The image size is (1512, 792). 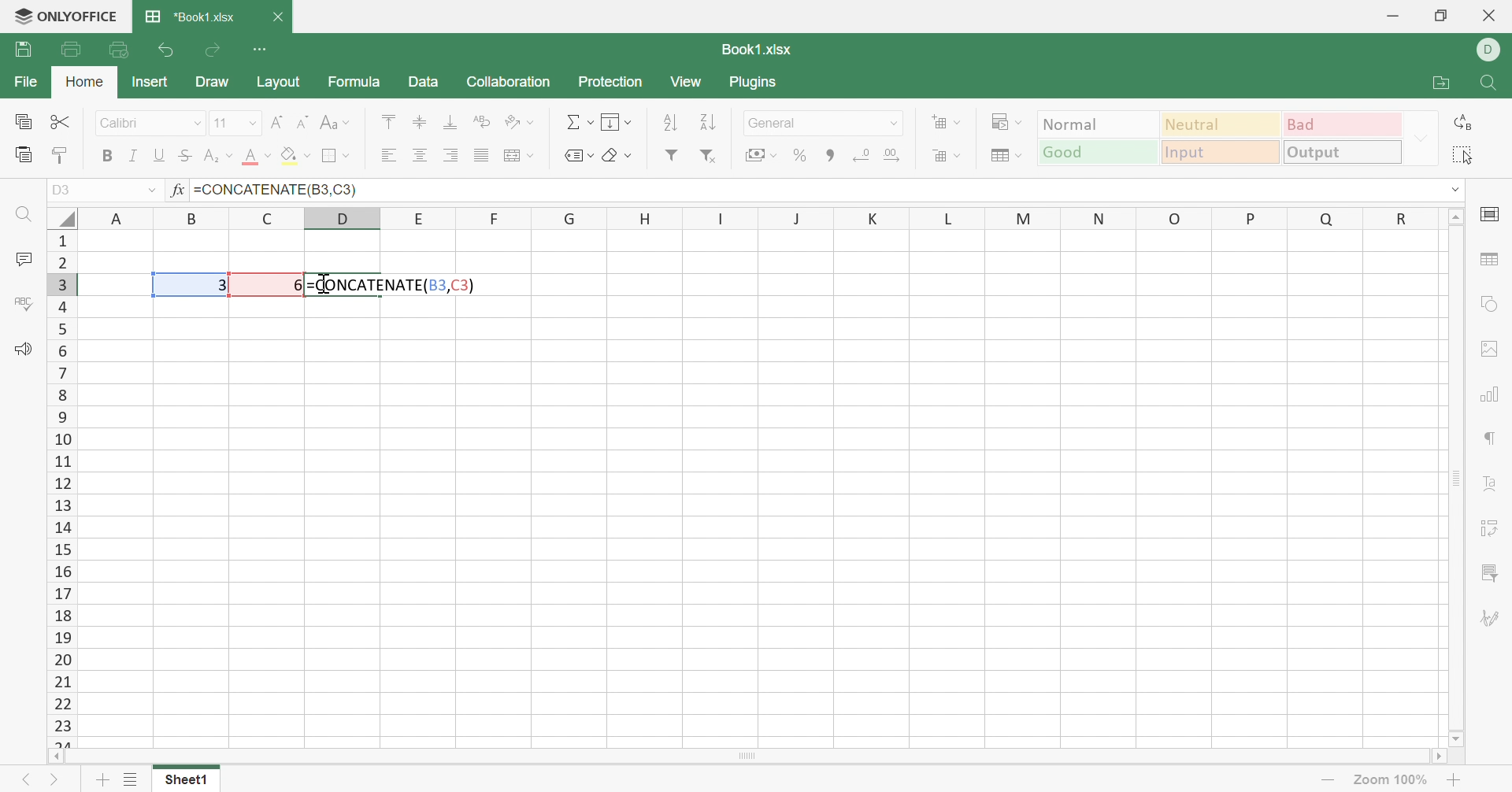 What do you see at coordinates (1492, 350) in the screenshot?
I see `Image settings` at bounding box center [1492, 350].